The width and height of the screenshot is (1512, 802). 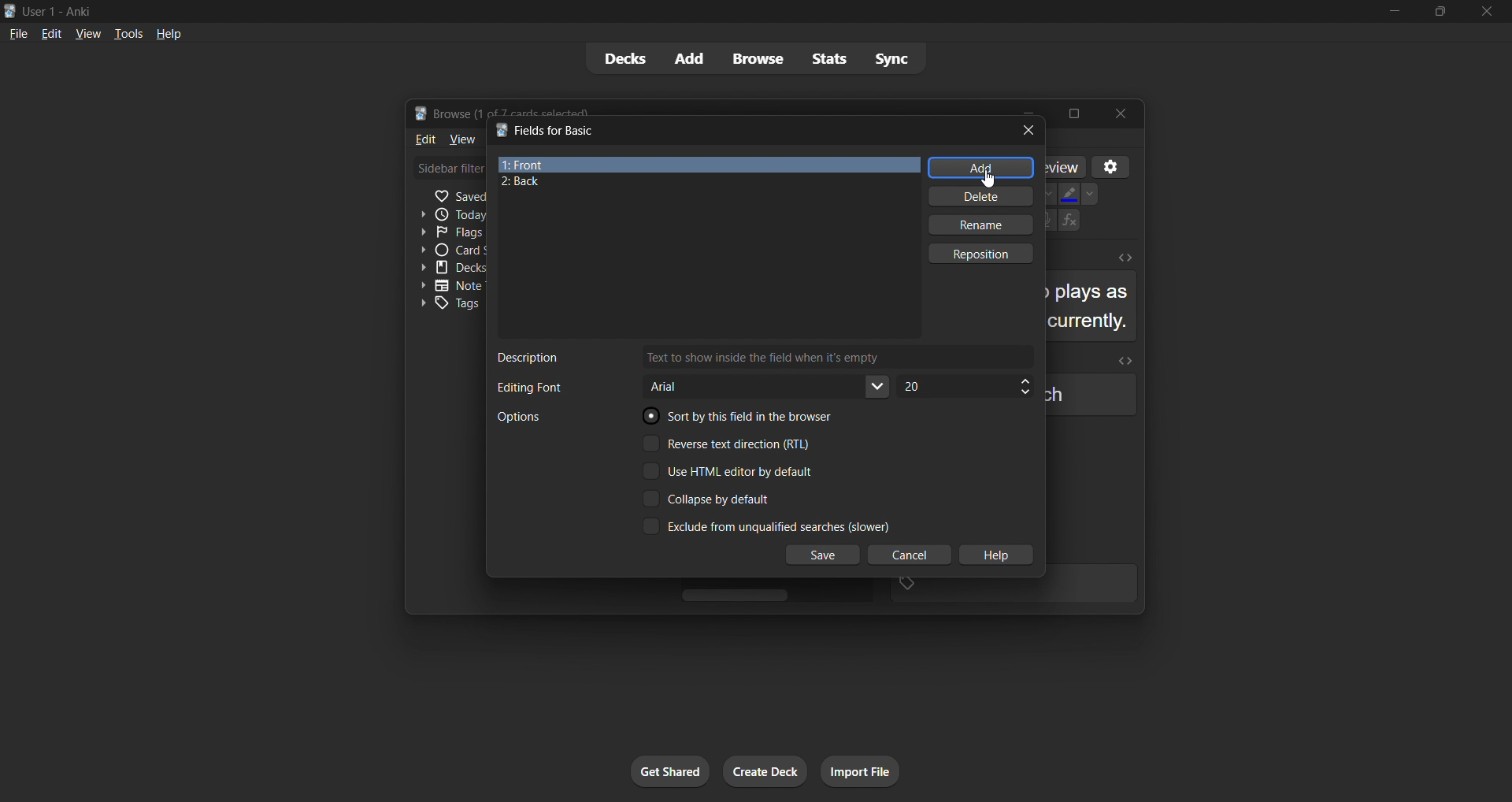 What do you see at coordinates (127, 34) in the screenshot?
I see `tools` at bounding box center [127, 34].